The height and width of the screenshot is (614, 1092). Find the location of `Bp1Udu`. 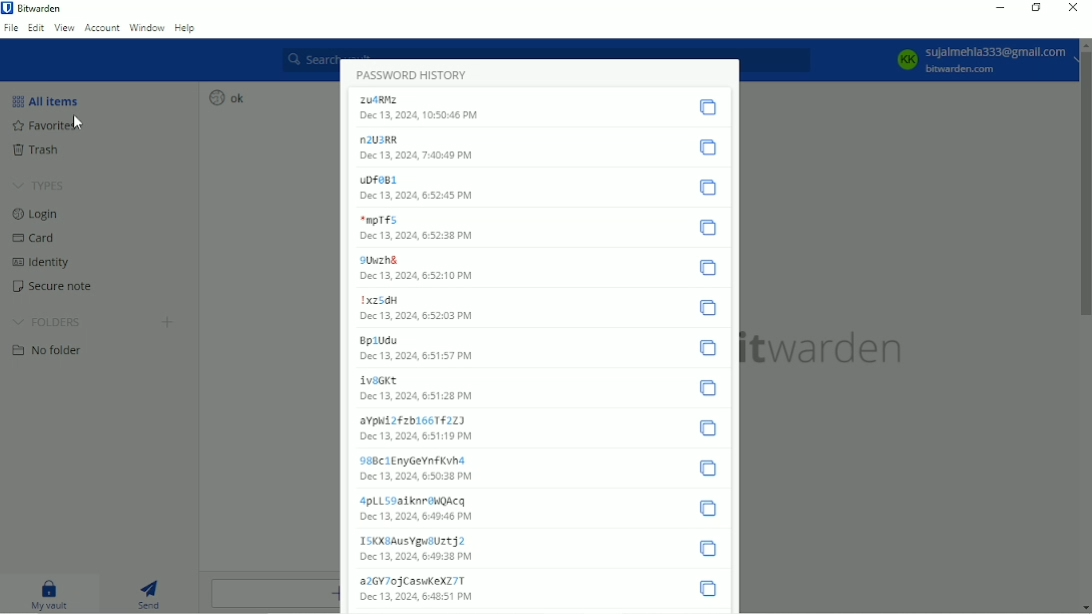

Bp1Udu is located at coordinates (378, 340).